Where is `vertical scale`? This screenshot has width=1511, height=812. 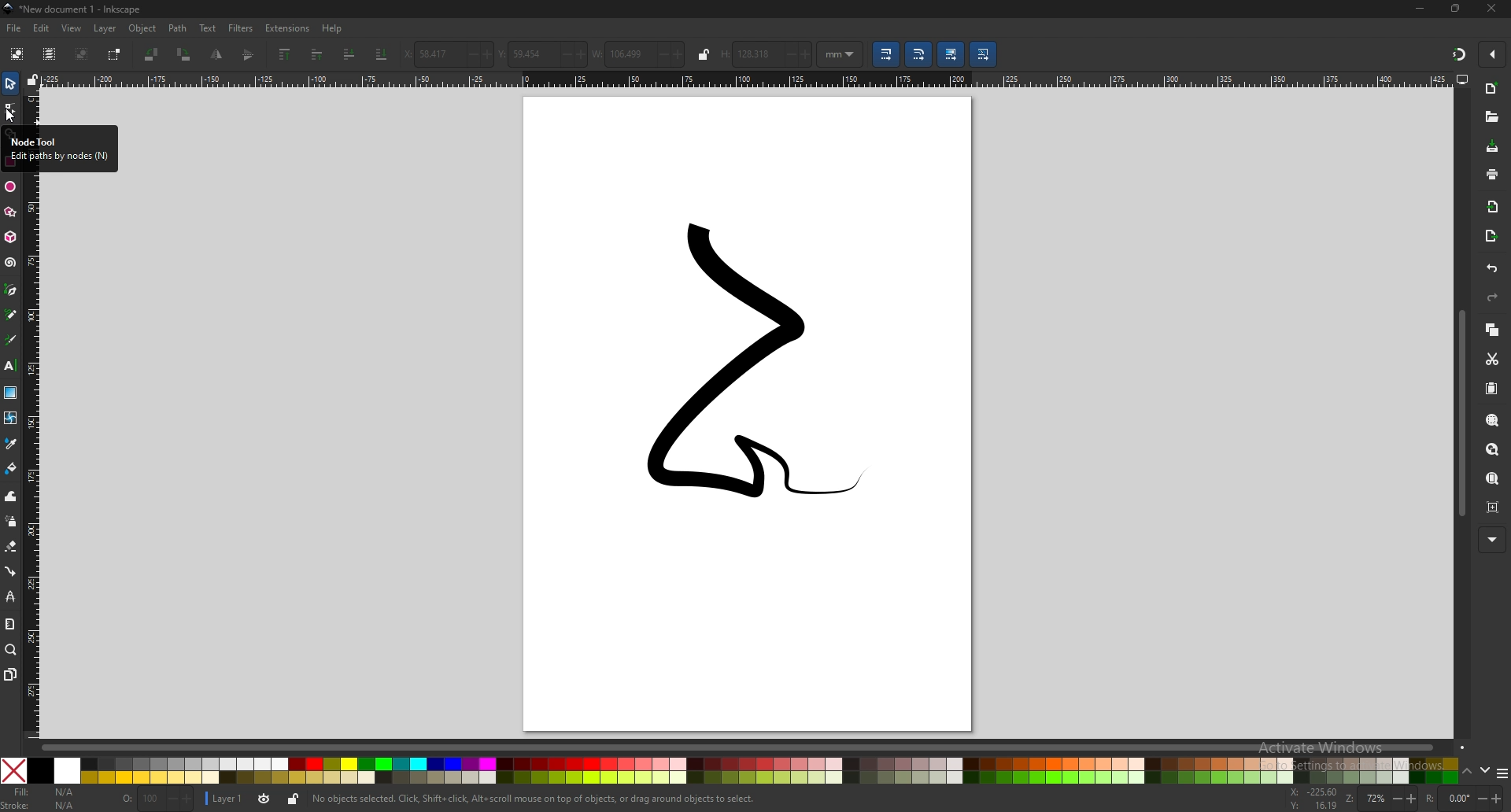
vertical scale is located at coordinates (31, 456).